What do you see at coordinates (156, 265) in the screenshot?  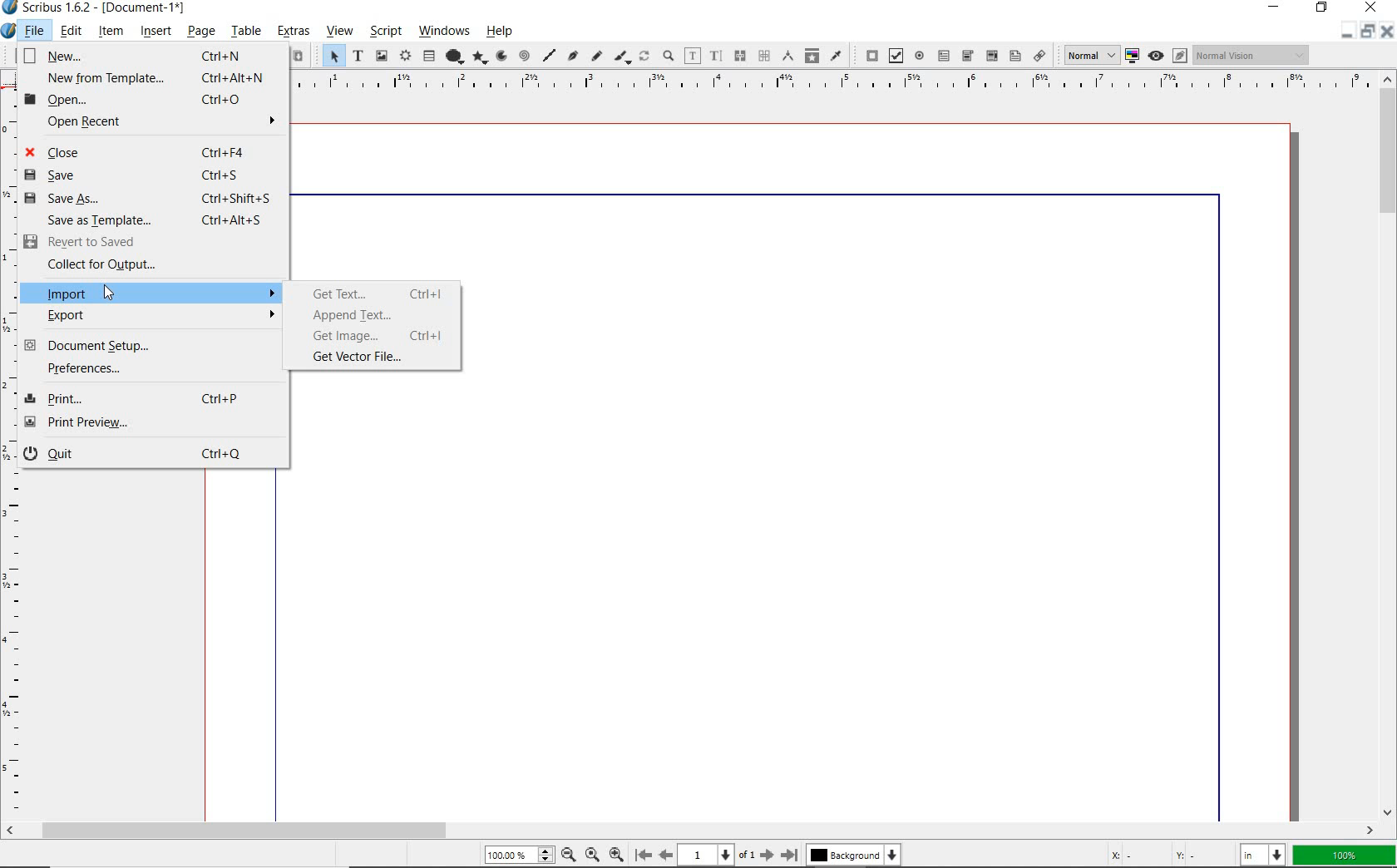 I see `Collect for Output...` at bounding box center [156, 265].